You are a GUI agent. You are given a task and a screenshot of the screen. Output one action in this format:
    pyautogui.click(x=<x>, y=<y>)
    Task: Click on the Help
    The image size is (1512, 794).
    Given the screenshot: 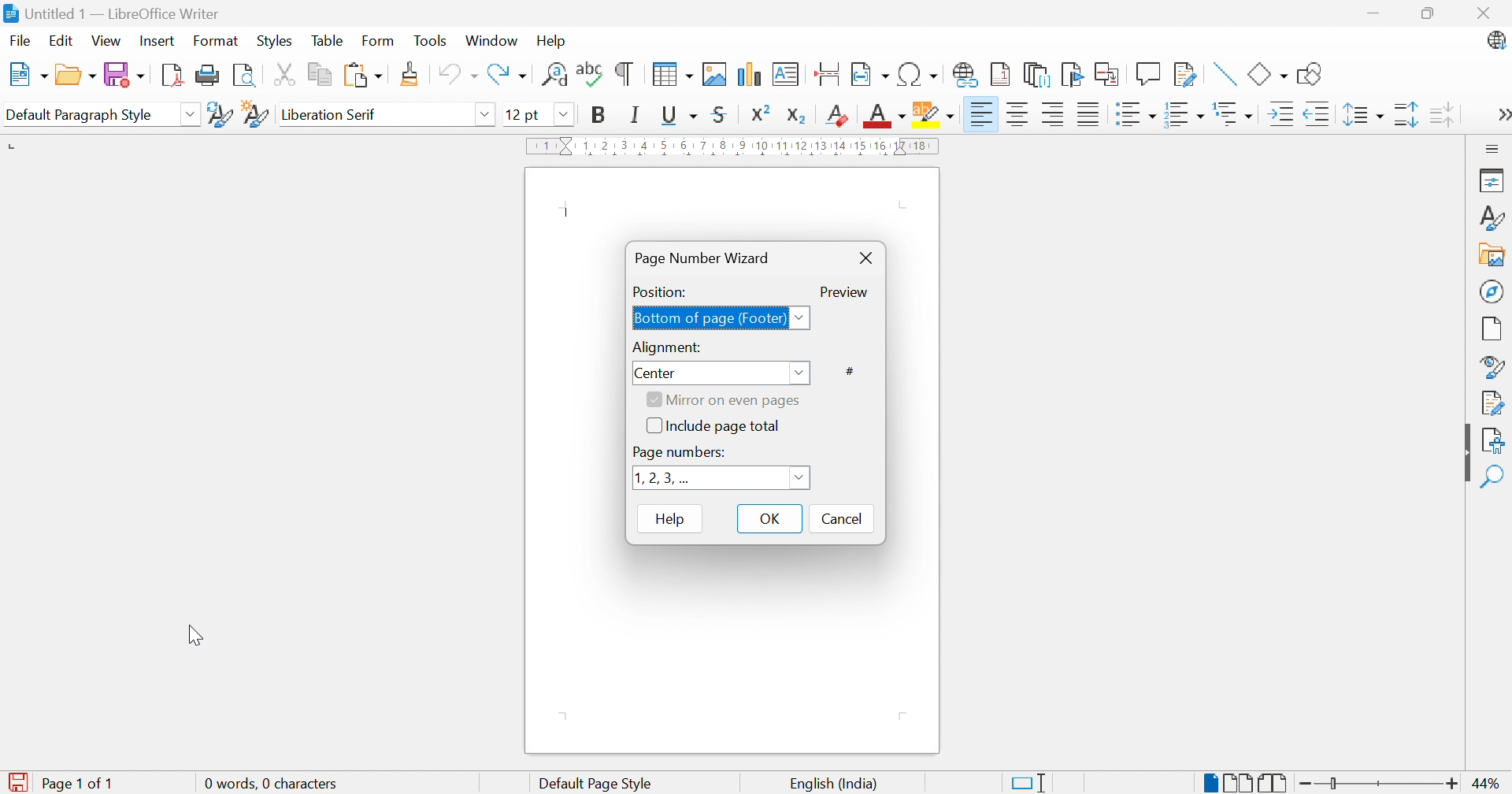 What is the action you would take?
    pyautogui.click(x=669, y=519)
    